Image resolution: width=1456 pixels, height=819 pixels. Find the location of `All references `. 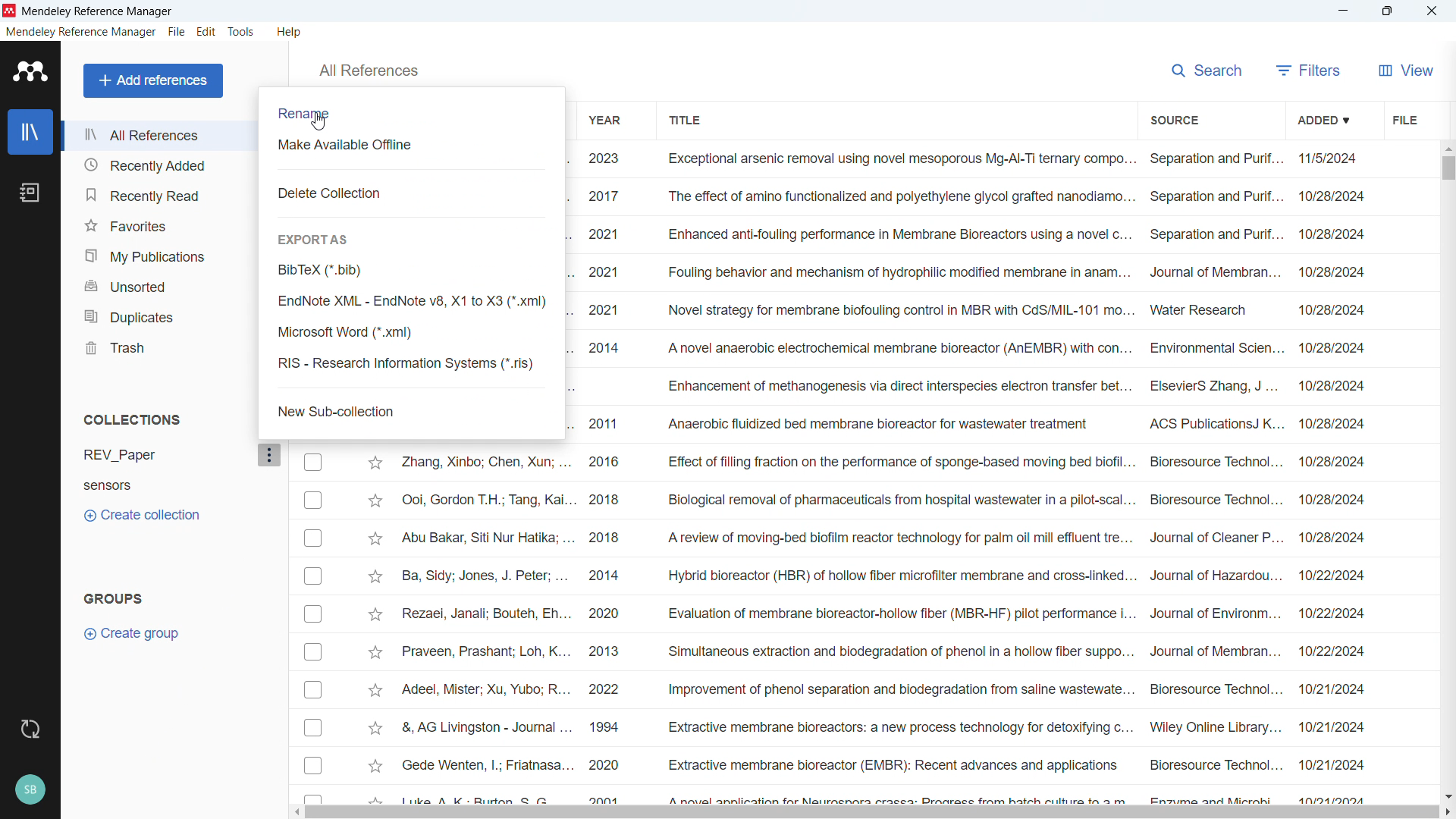

All references  is located at coordinates (160, 136).